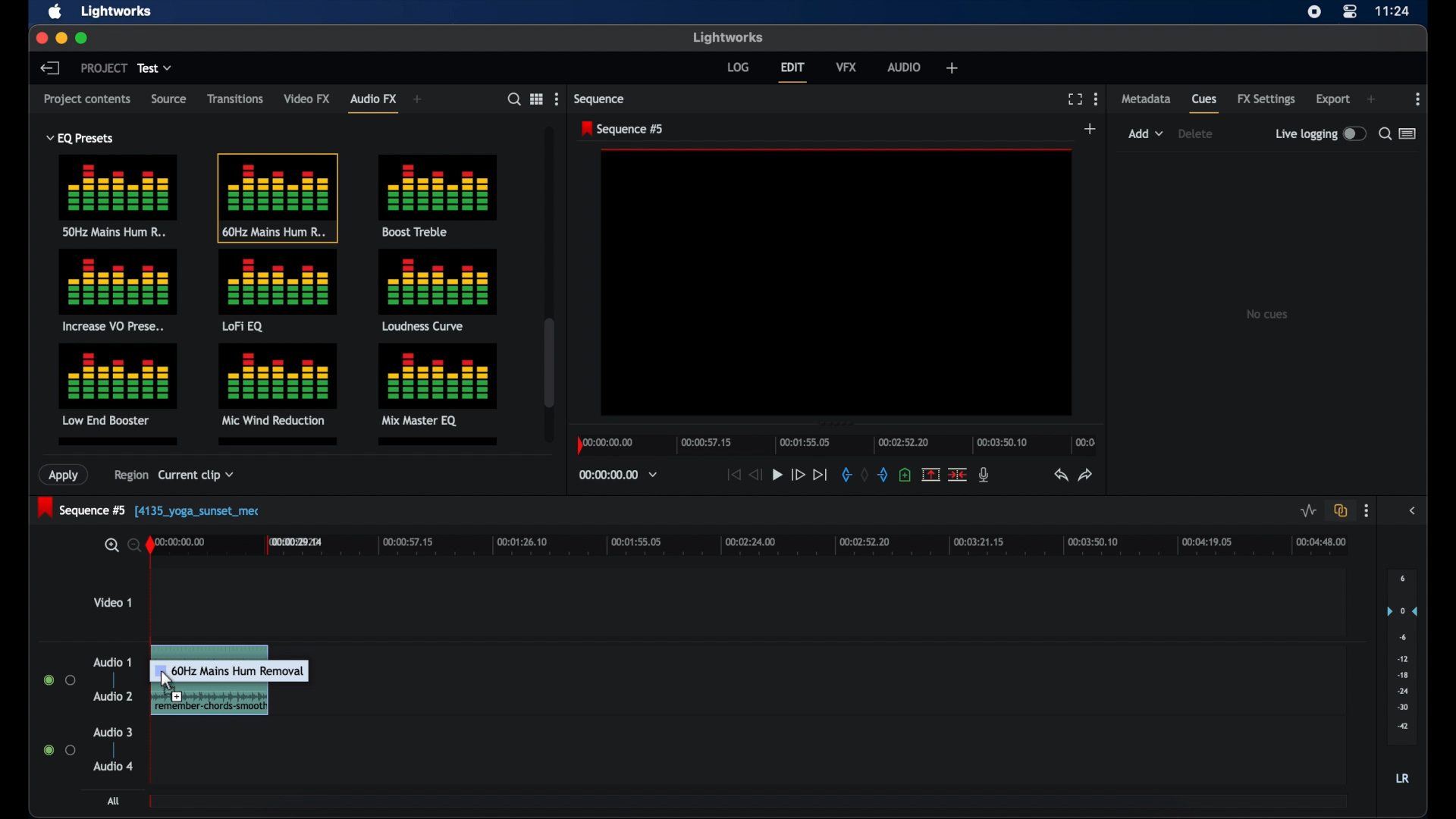 This screenshot has width=1456, height=819. I want to click on out mark, so click(883, 475).